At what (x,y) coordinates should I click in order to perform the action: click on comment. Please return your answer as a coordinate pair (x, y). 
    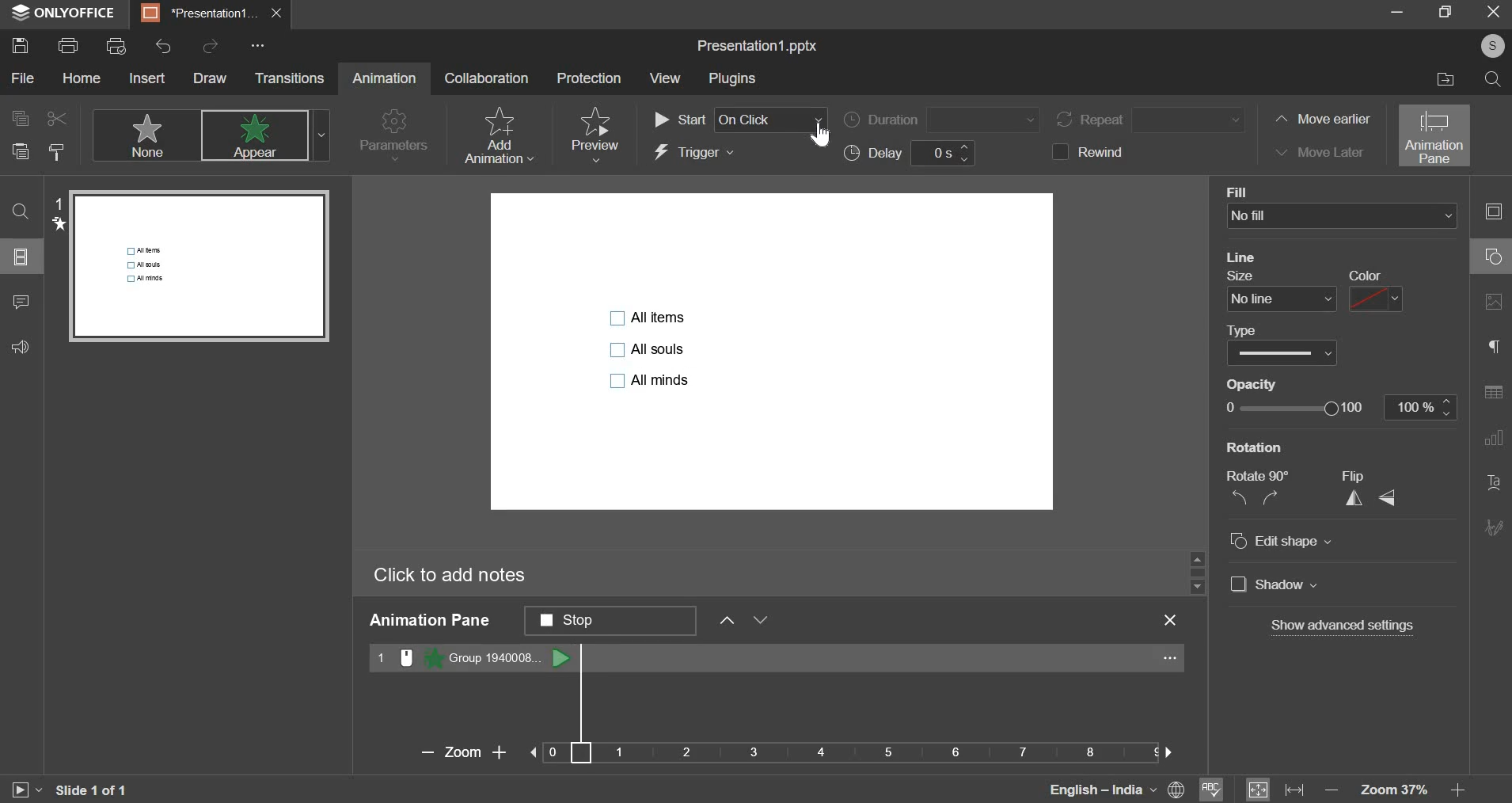
    Looking at the image, I should click on (20, 304).